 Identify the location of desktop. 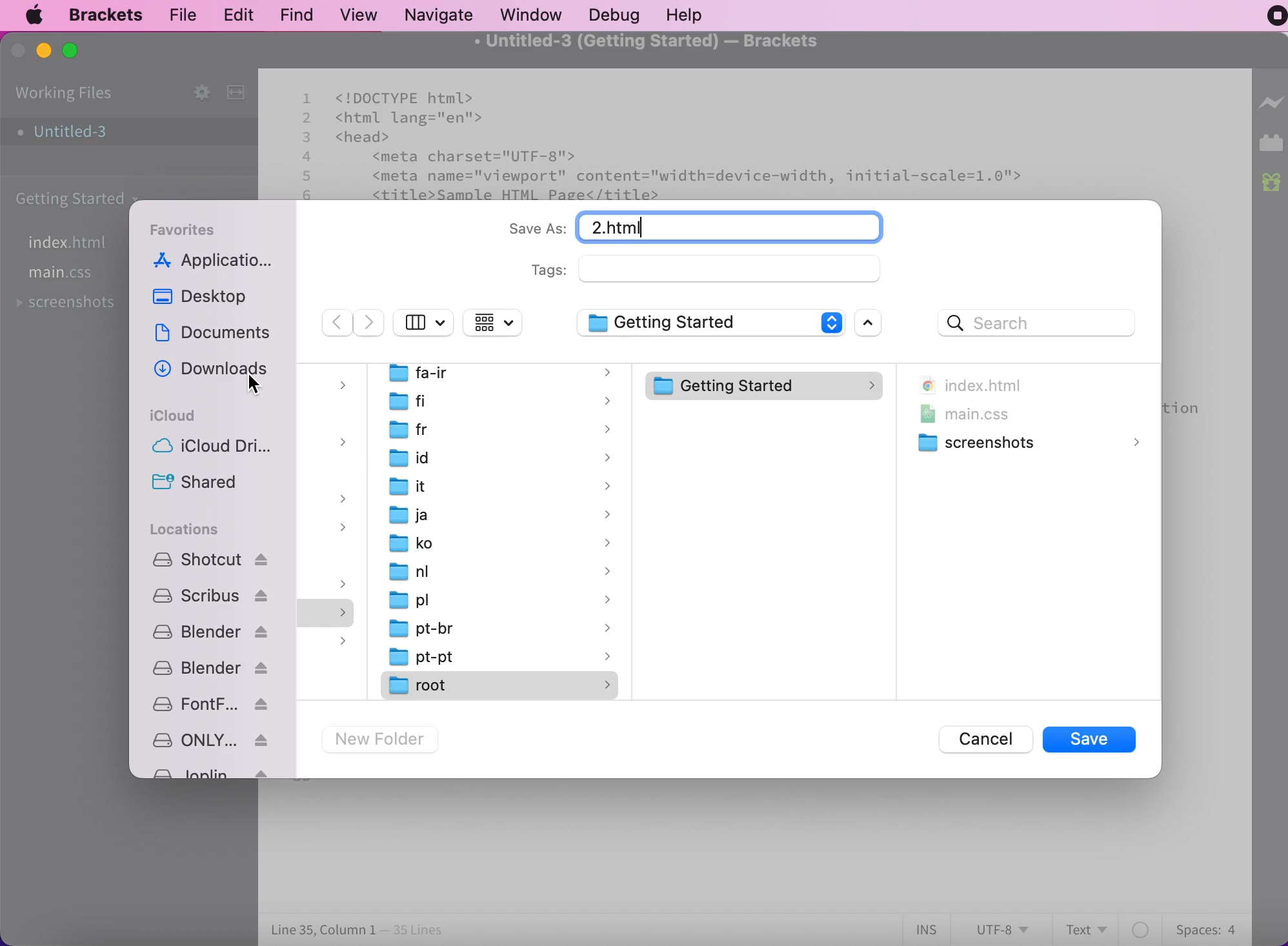
(208, 297).